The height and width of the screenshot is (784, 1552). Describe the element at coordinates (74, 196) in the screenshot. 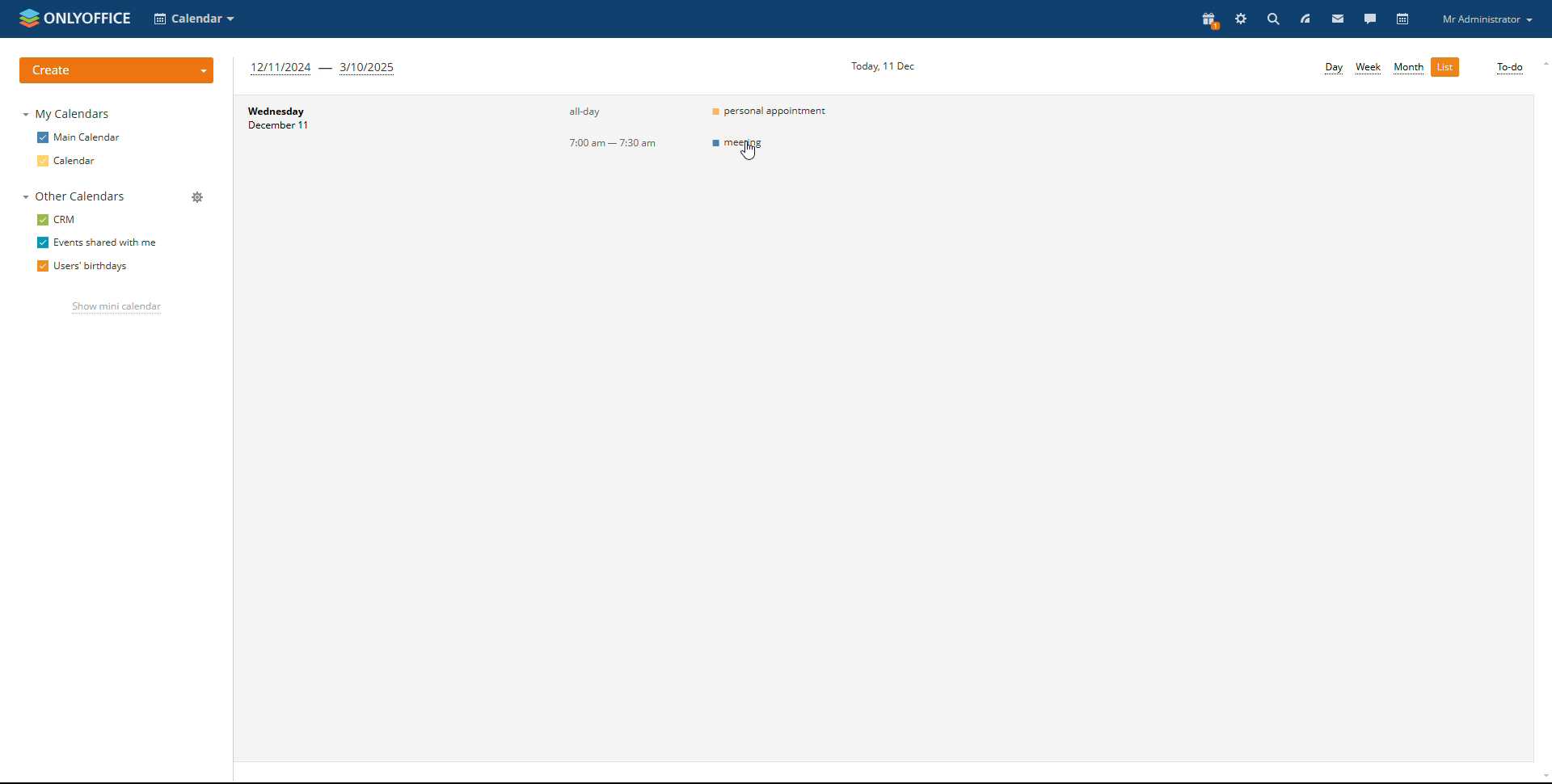

I see `other calendars` at that location.